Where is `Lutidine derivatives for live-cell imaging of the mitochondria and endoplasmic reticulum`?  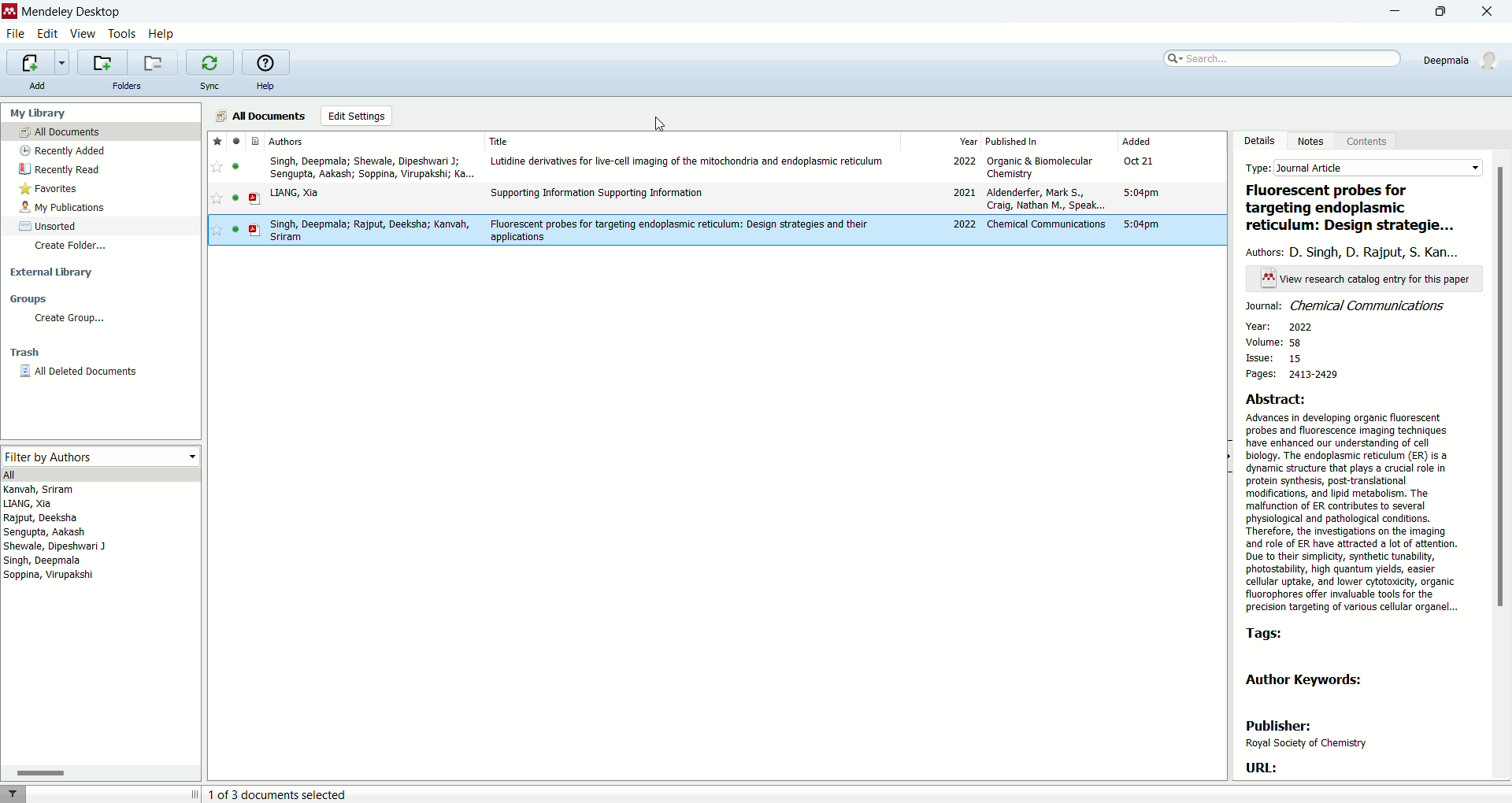 Lutidine derivatives for live-cell imaging of the mitochondria and endoplasmic reticulum is located at coordinates (688, 162).